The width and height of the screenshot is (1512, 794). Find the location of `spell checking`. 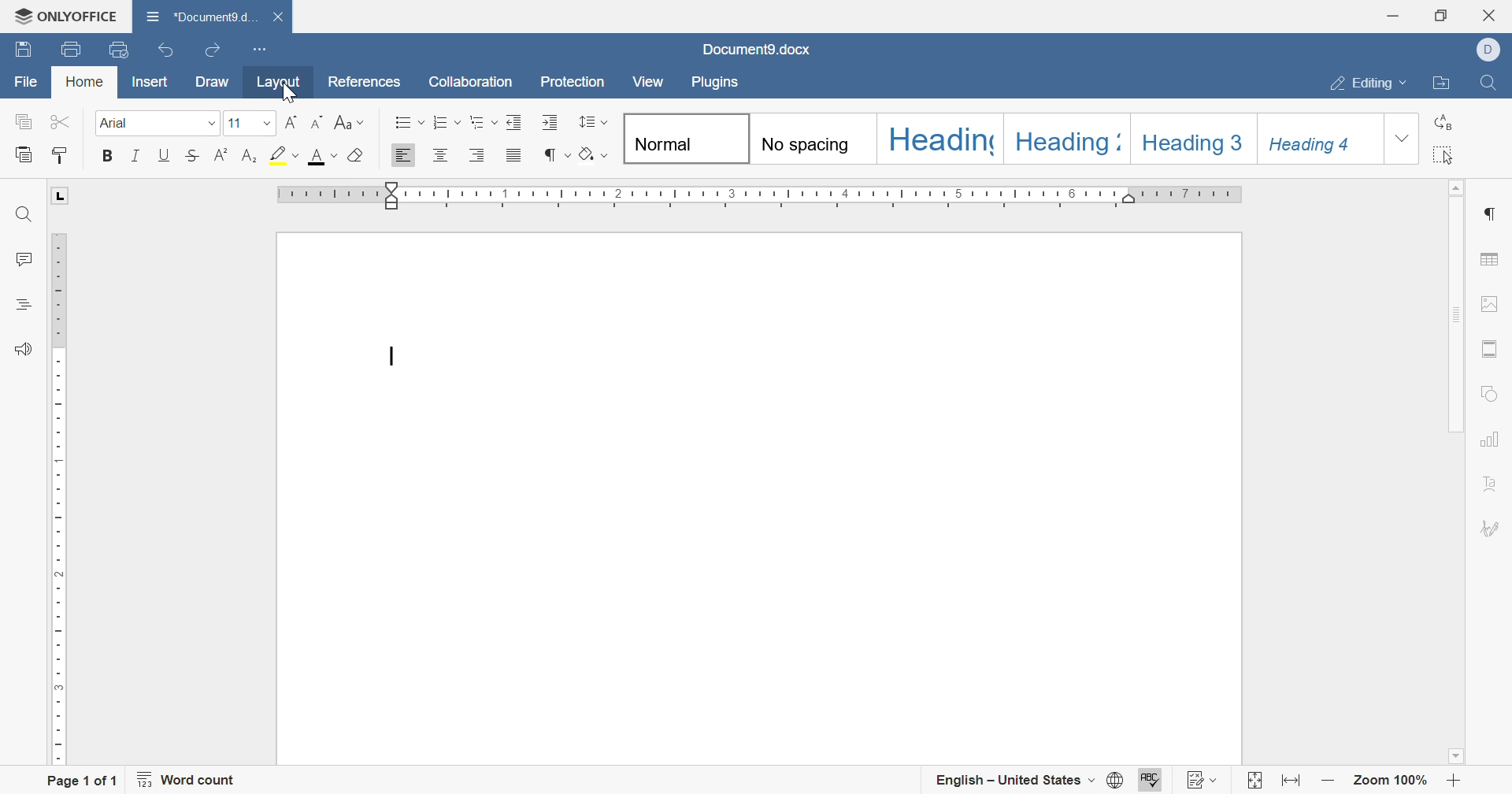

spell checking is located at coordinates (1152, 781).